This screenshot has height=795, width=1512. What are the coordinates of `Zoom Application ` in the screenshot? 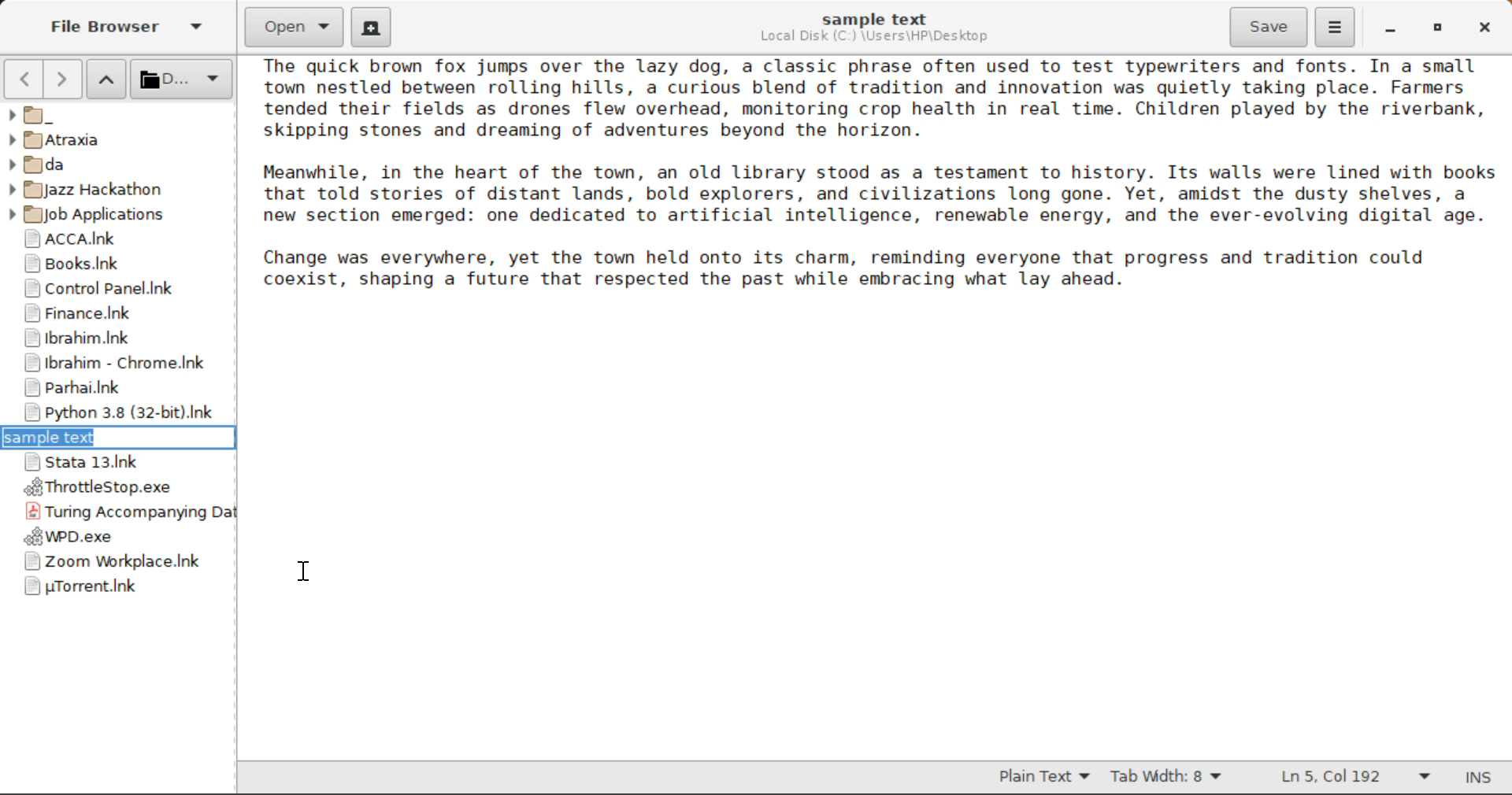 It's located at (113, 562).